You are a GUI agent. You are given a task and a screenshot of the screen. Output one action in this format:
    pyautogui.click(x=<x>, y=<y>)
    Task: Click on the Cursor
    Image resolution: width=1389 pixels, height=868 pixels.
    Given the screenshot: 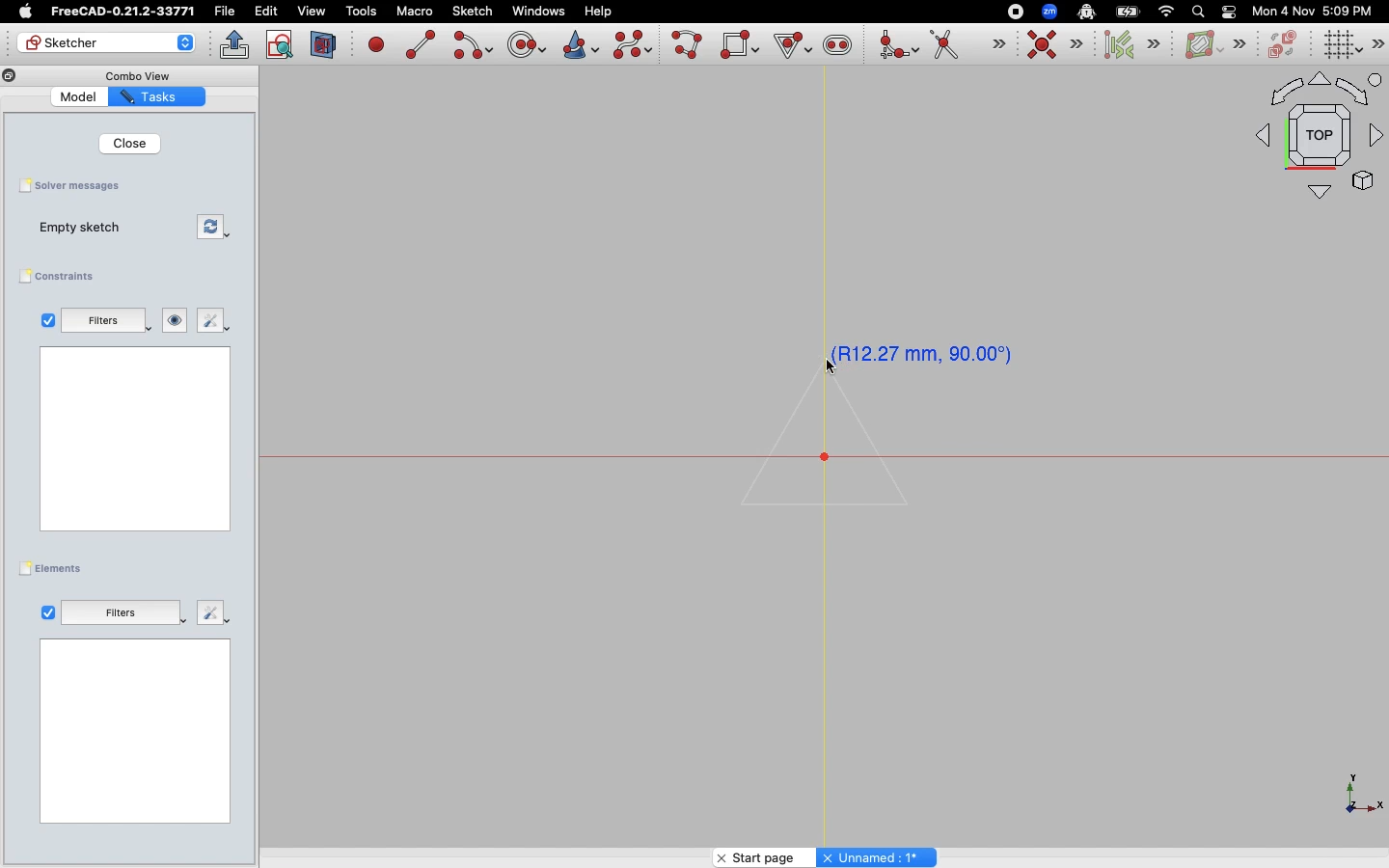 What is the action you would take?
    pyautogui.click(x=839, y=369)
    